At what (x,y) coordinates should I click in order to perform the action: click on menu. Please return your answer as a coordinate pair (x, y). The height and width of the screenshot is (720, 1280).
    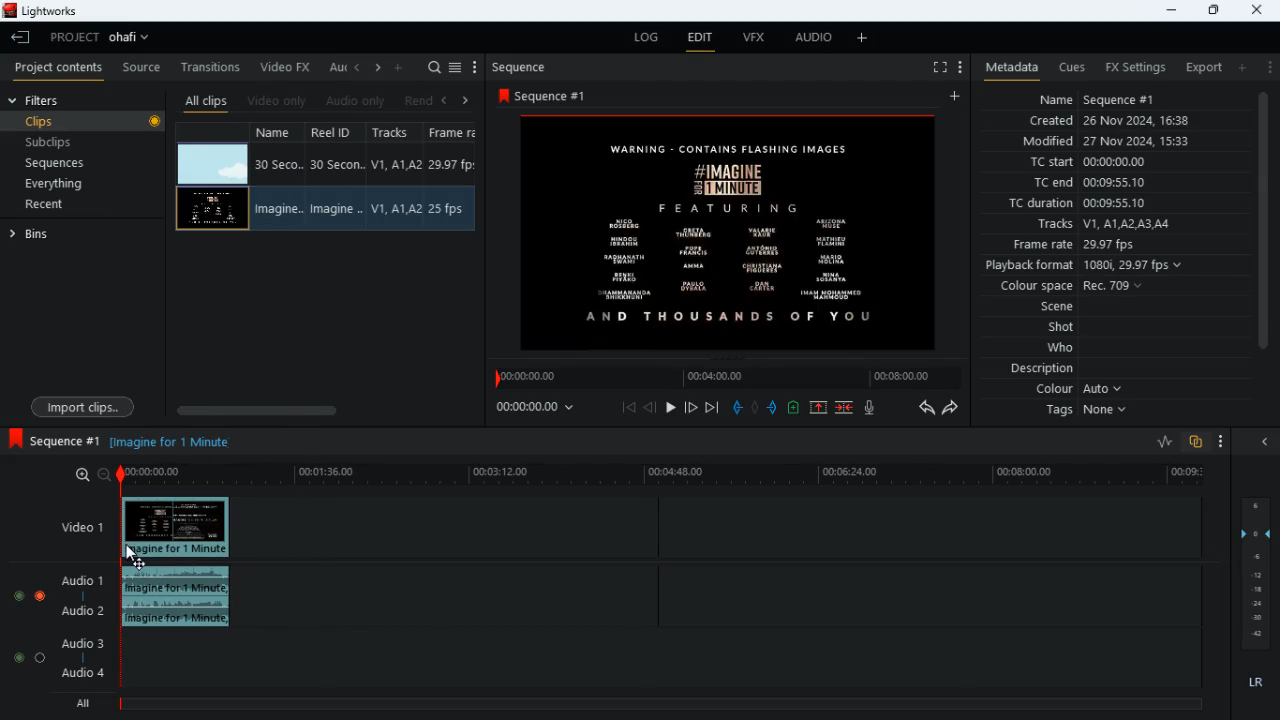
    Looking at the image, I should click on (960, 65).